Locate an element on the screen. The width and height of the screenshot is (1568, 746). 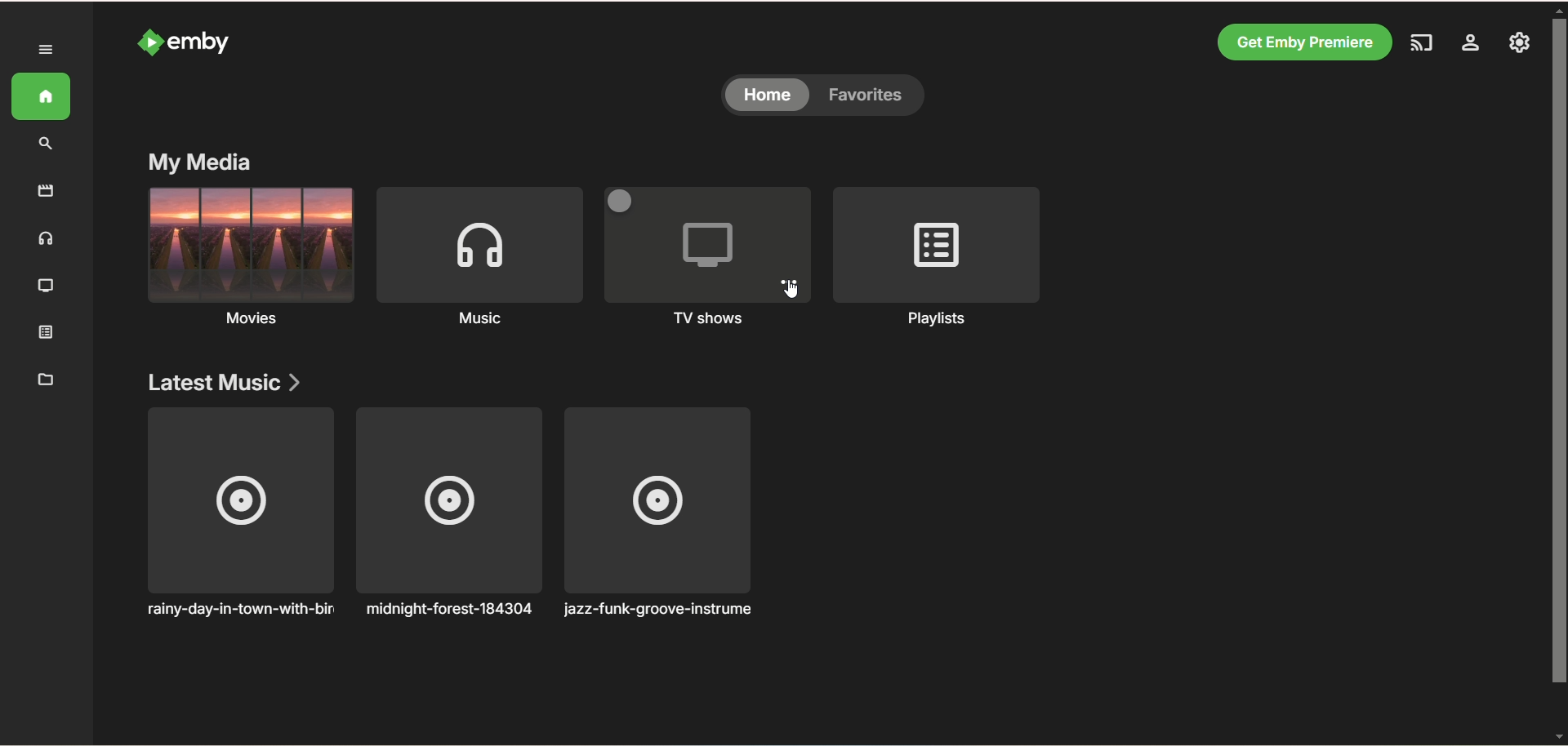
emby is located at coordinates (200, 42).